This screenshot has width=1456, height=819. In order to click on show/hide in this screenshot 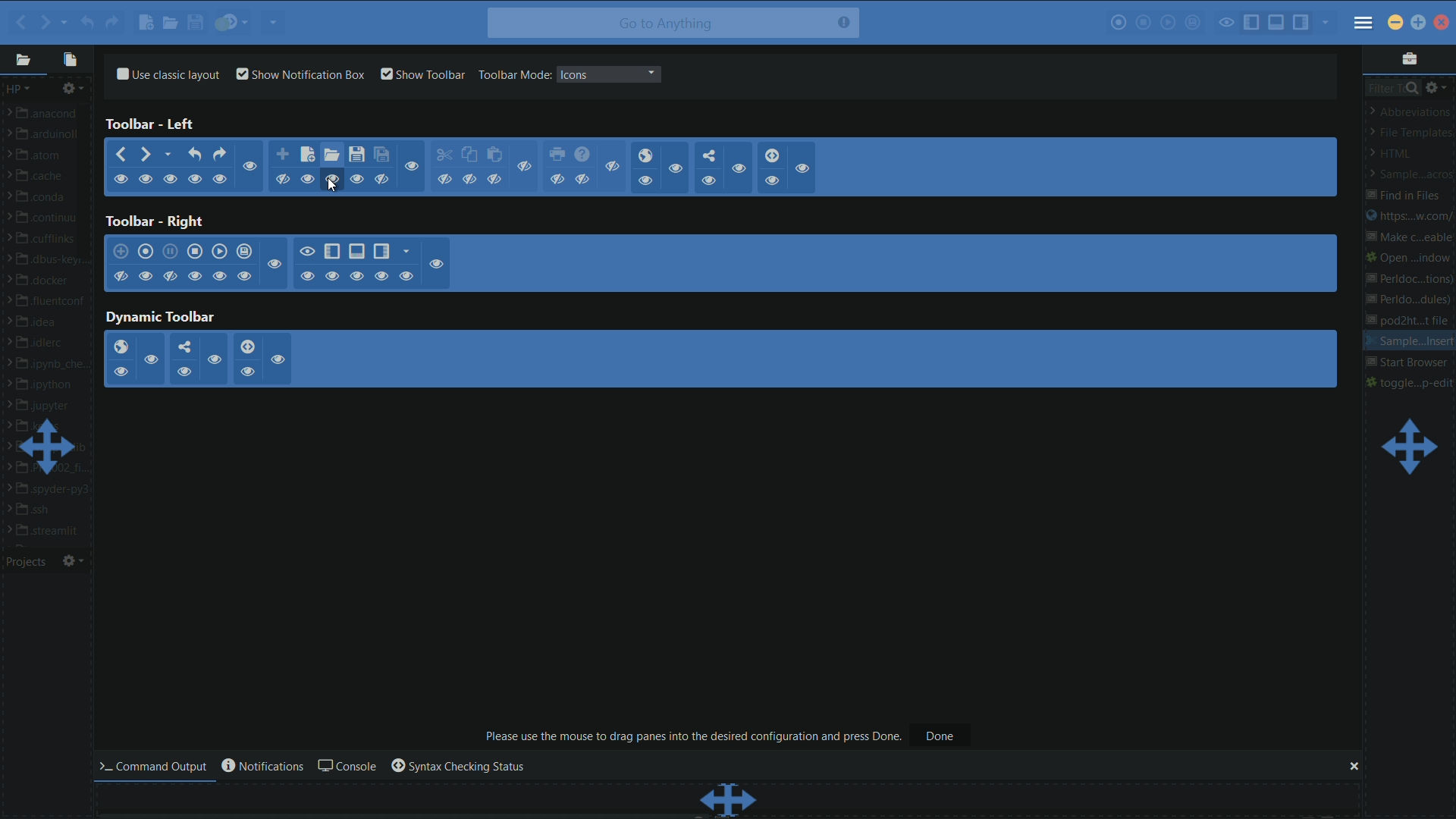, I will do `click(220, 179)`.